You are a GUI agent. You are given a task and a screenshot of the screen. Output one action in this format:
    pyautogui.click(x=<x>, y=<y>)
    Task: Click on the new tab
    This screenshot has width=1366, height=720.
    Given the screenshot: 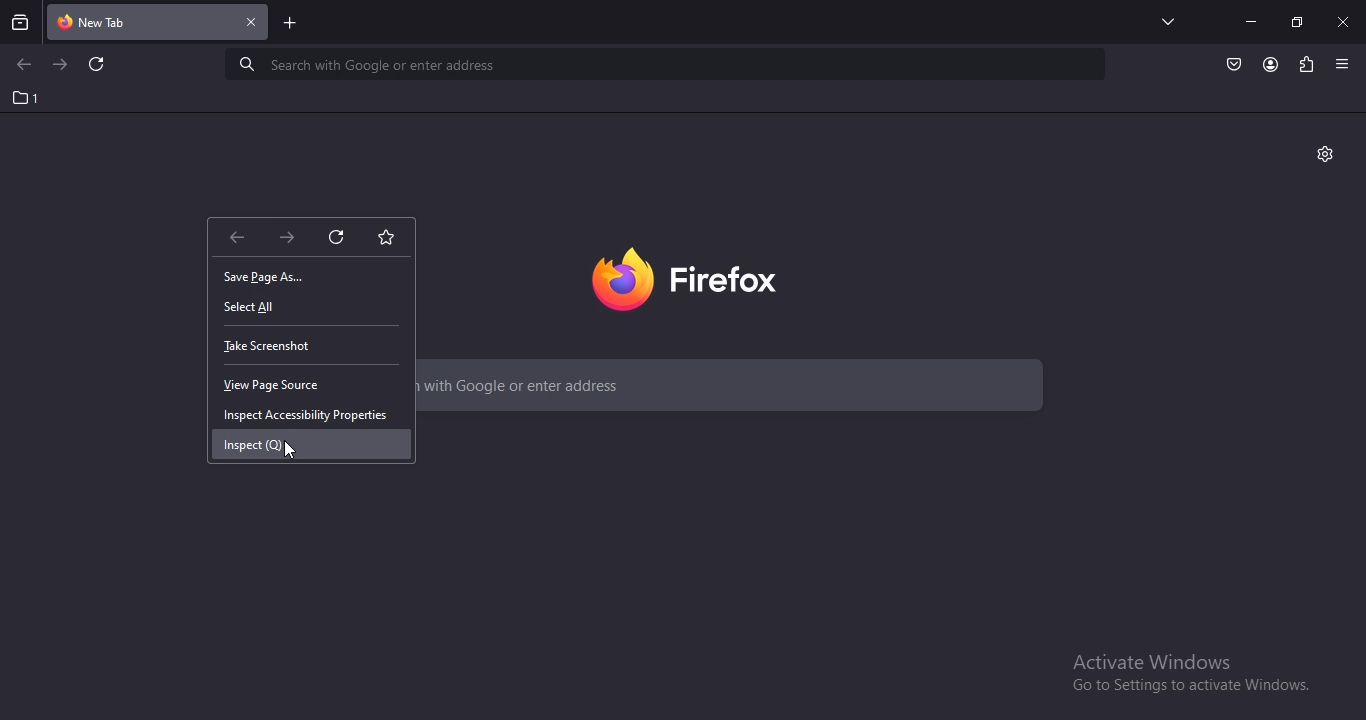 What is the action you would take?
    pyautogui.click(x=291, y=25)
    